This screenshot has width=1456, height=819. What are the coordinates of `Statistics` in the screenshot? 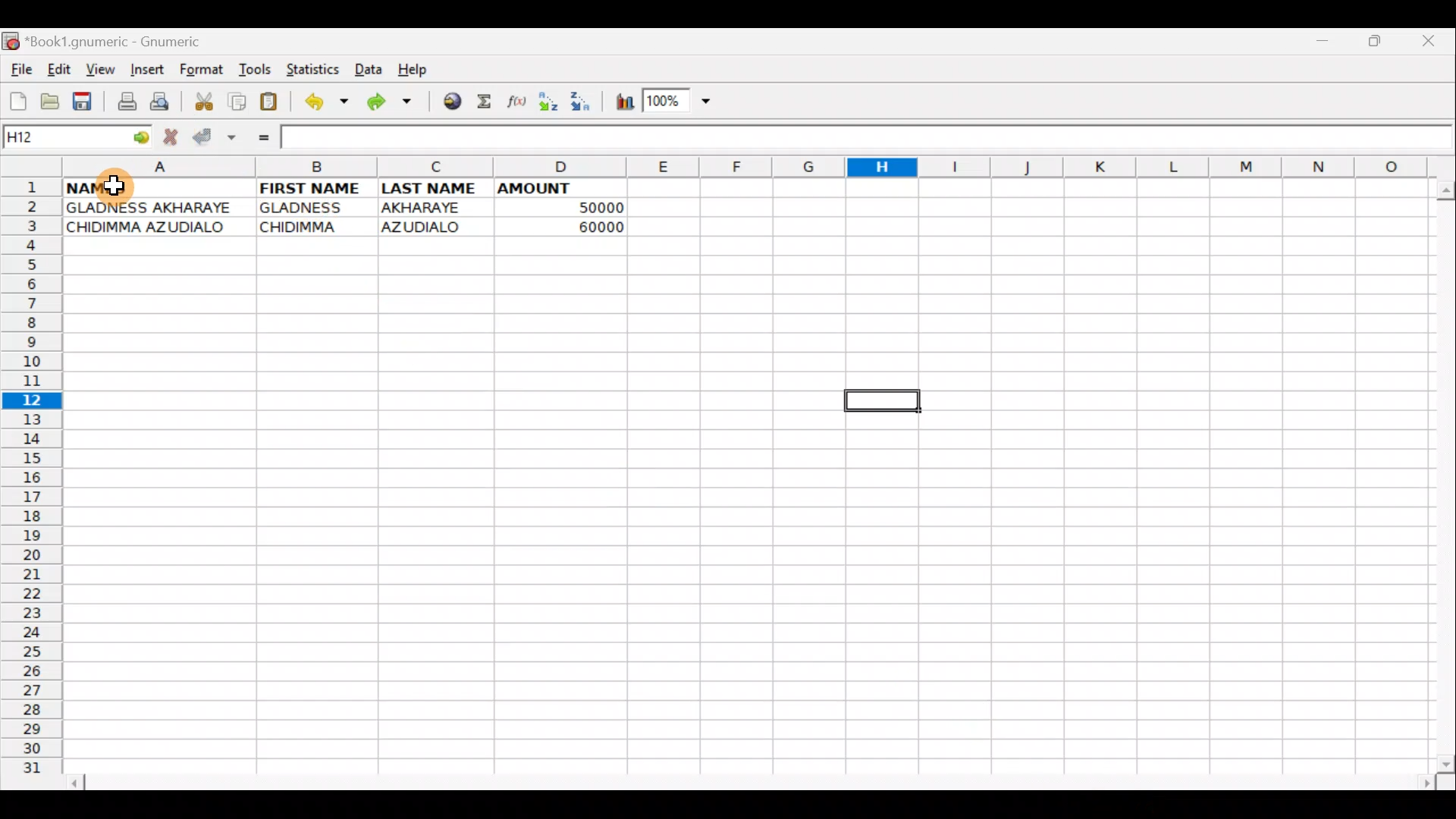 It's located at (314, 71).